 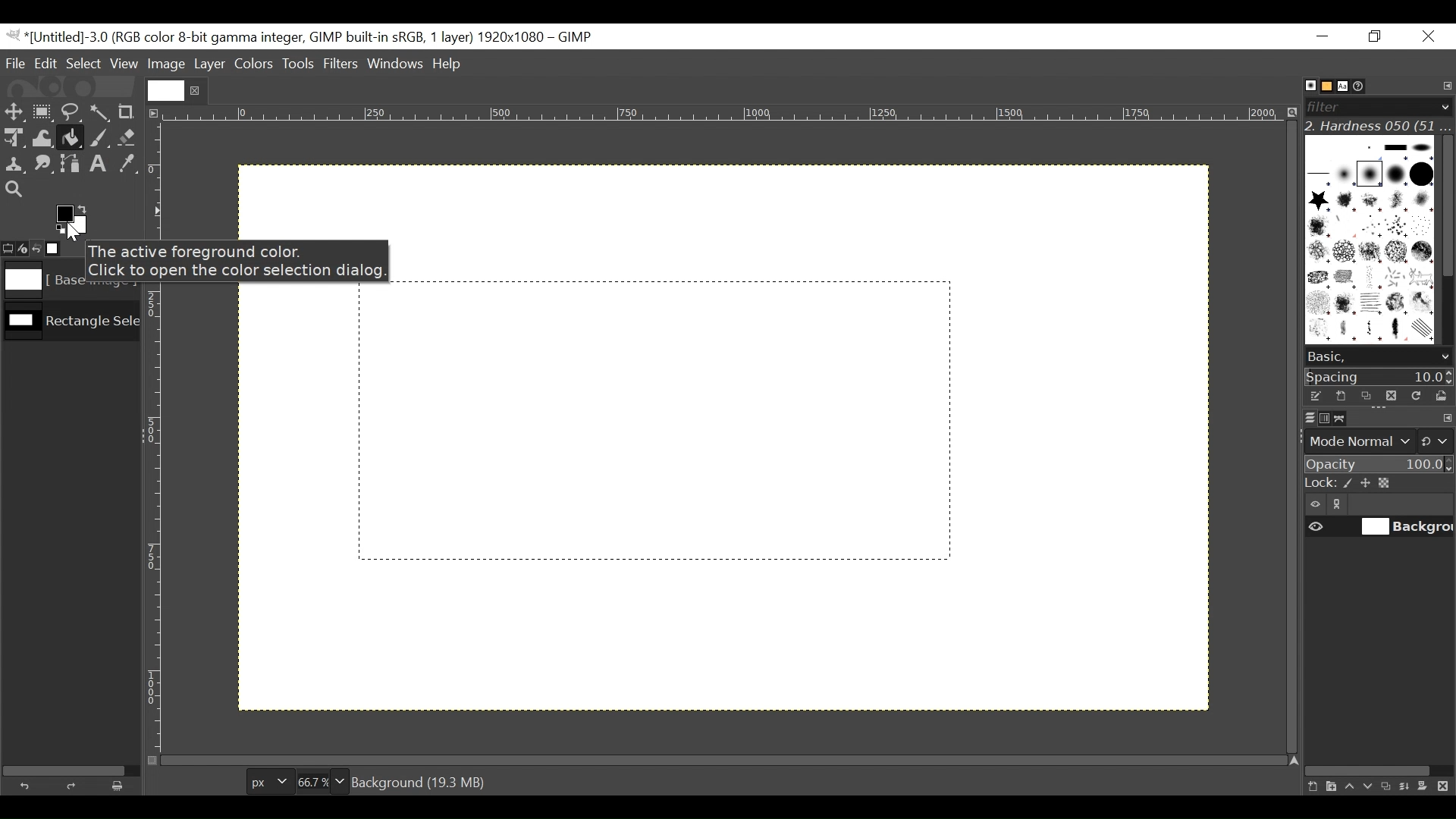 I want to click on mode normal, so click(x=1377, y=440).